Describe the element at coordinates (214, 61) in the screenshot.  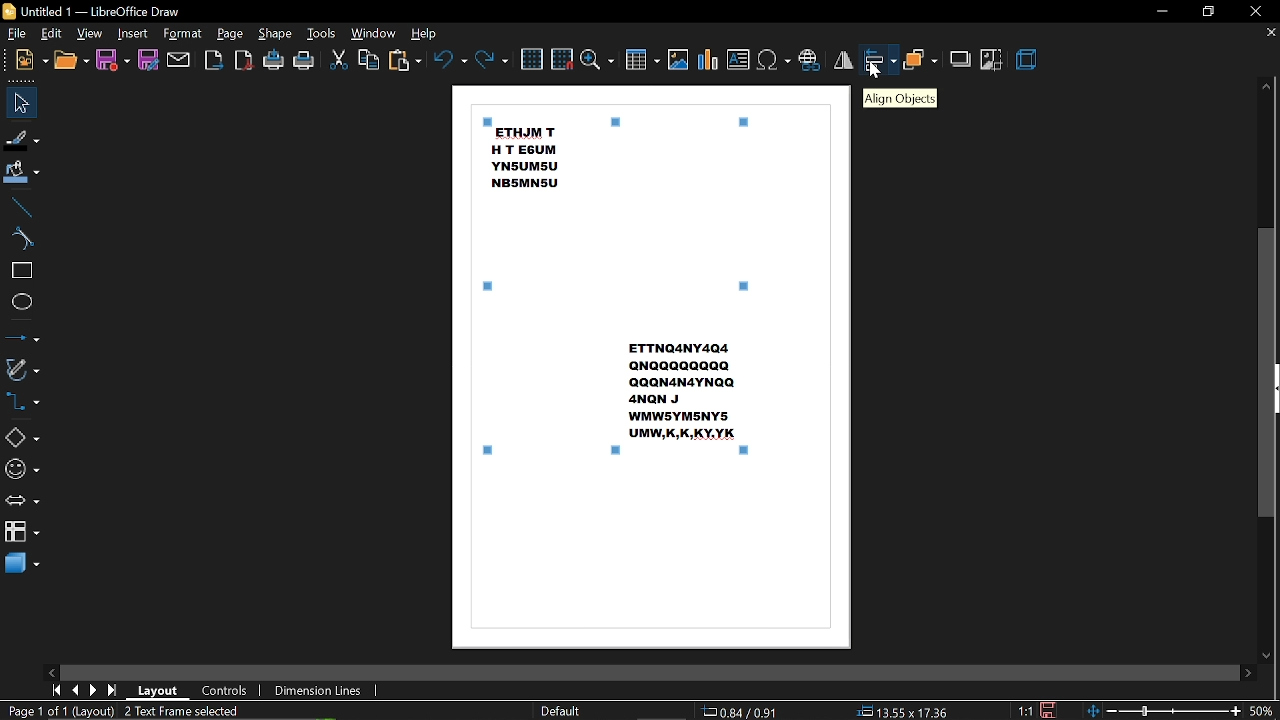
I see `Export` at that location.